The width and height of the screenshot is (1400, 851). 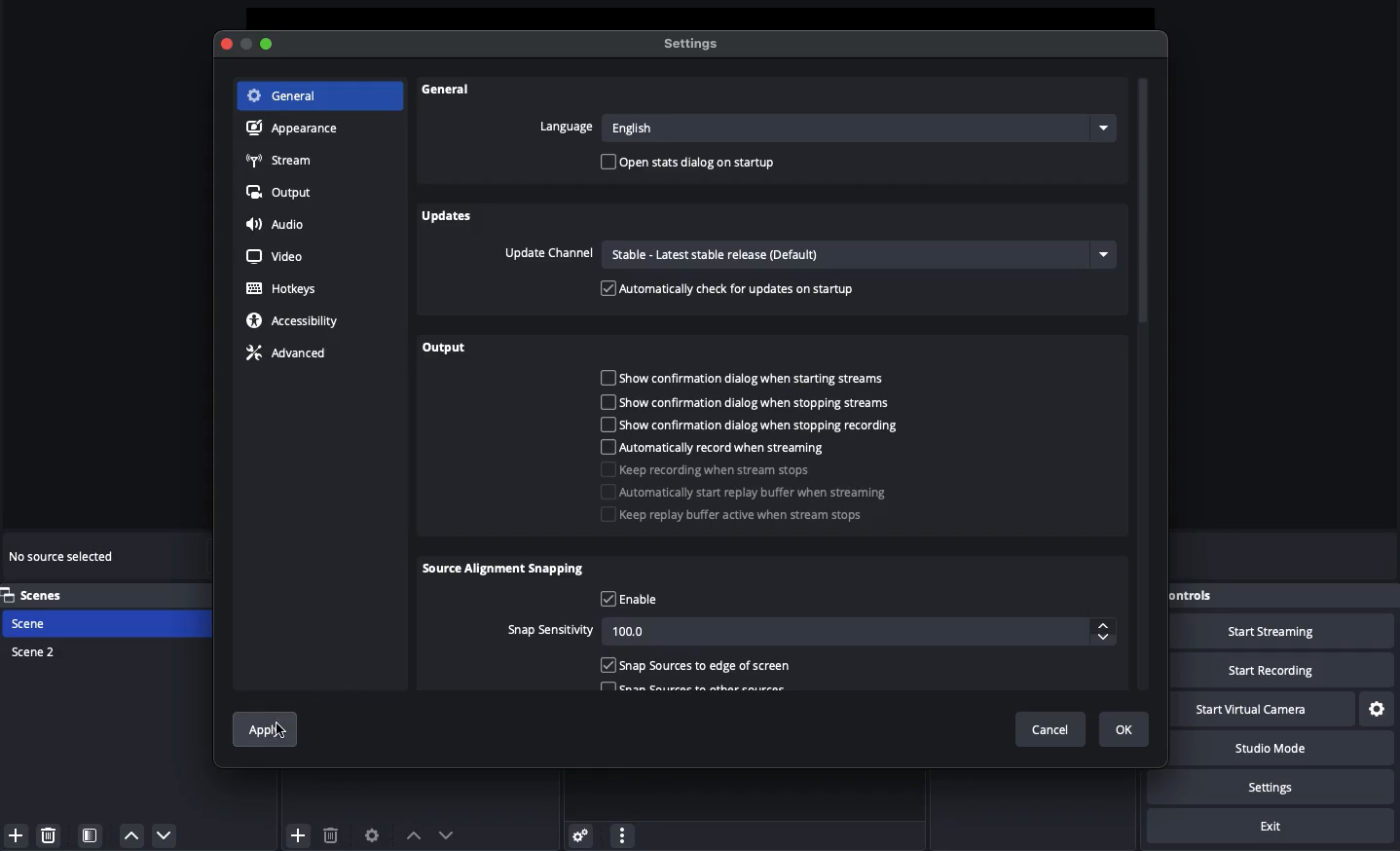 What do you see at coordinates (697, 665) in the screenshot?
I see `Enabled` at bounding box center [697, 665].